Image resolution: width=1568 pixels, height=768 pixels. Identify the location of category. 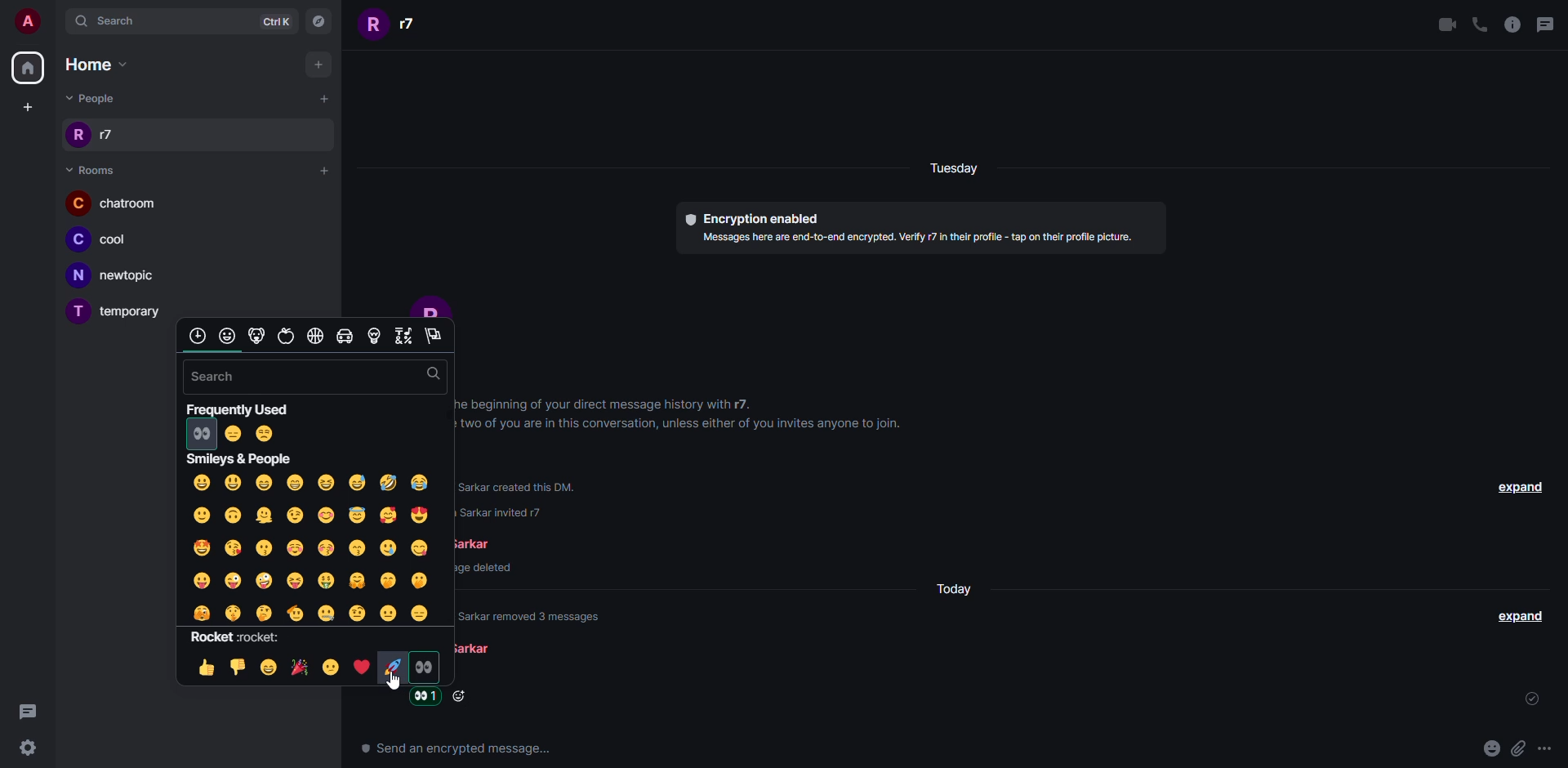
(257, 336).